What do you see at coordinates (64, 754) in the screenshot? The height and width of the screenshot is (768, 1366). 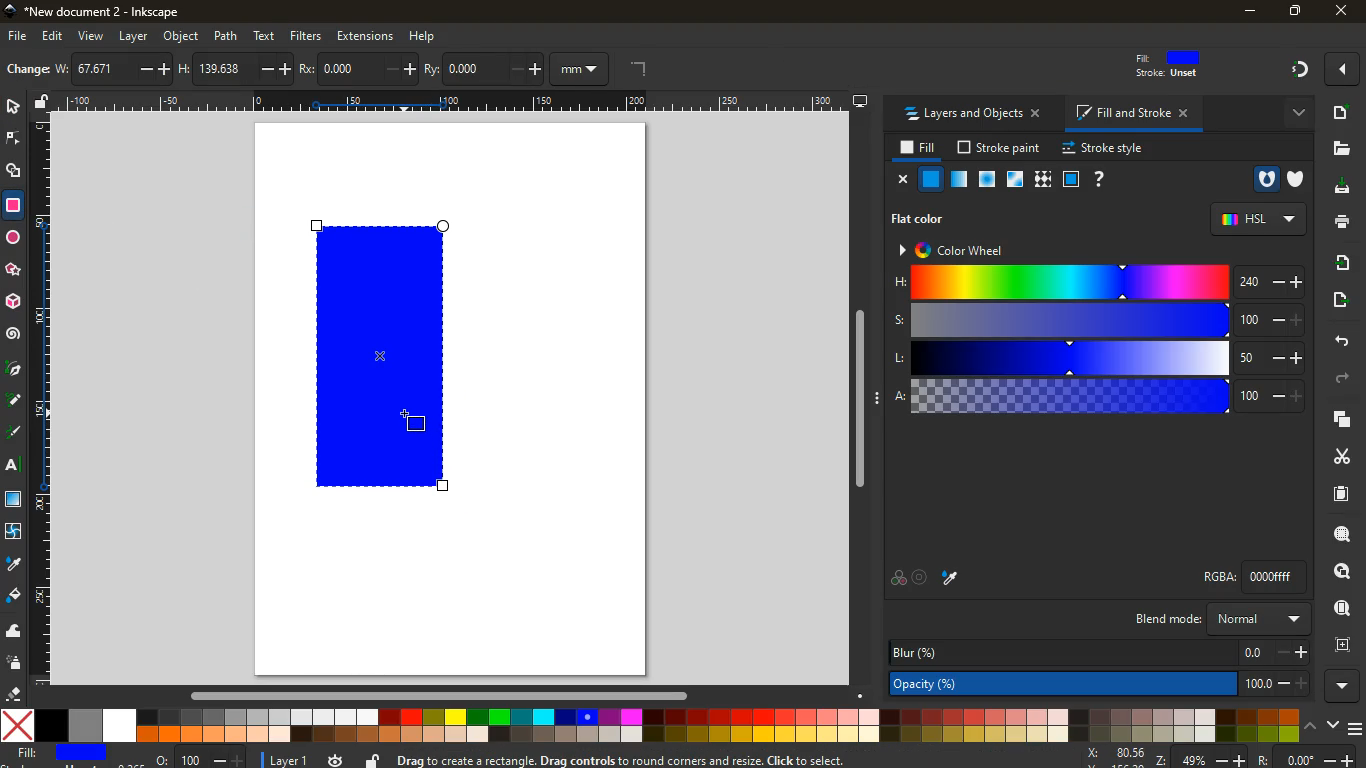 I see `fill` at bounding box center [64, 754].